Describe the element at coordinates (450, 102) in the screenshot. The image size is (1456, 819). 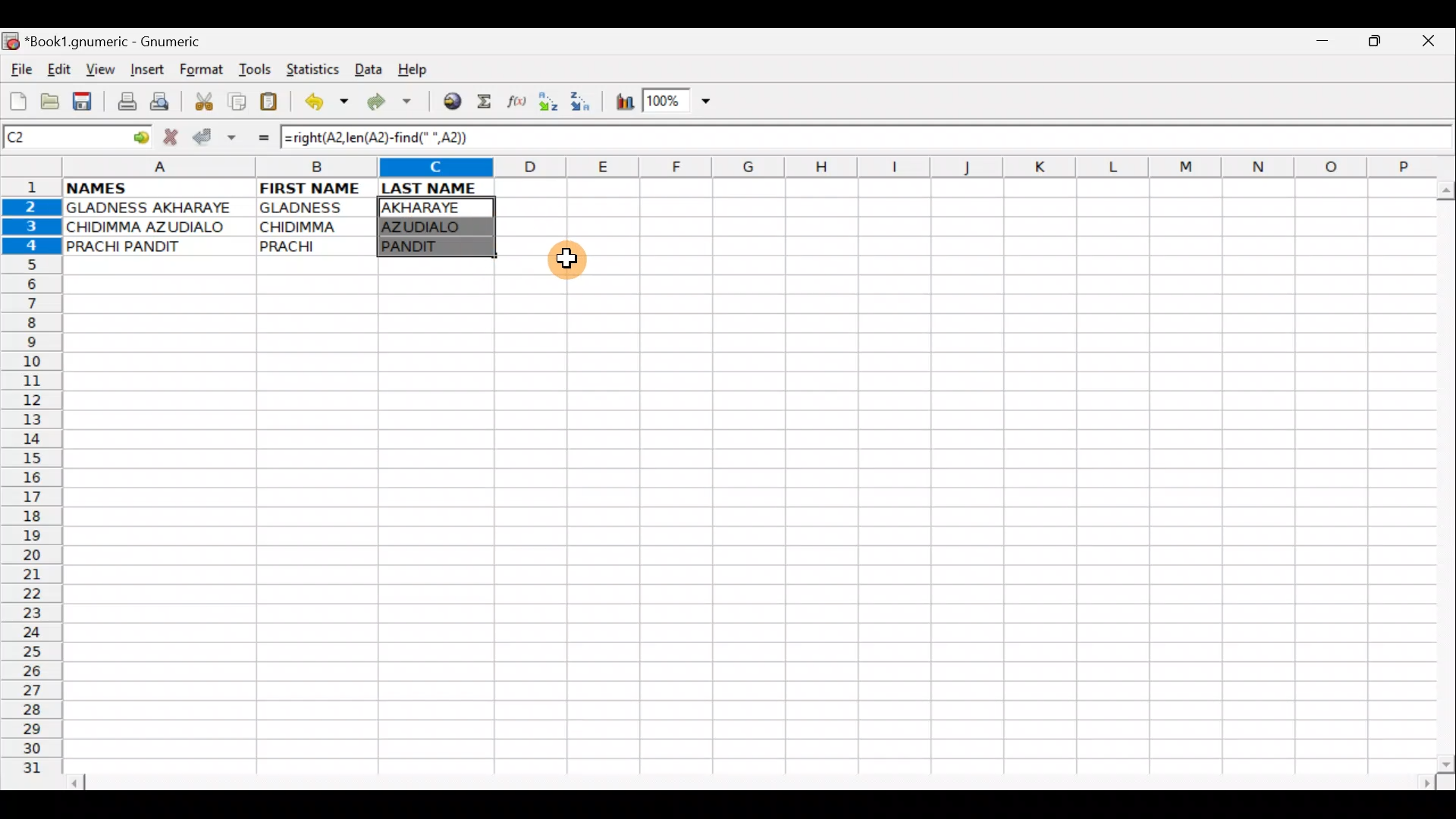
I see `Insert hyperlink` at that location.